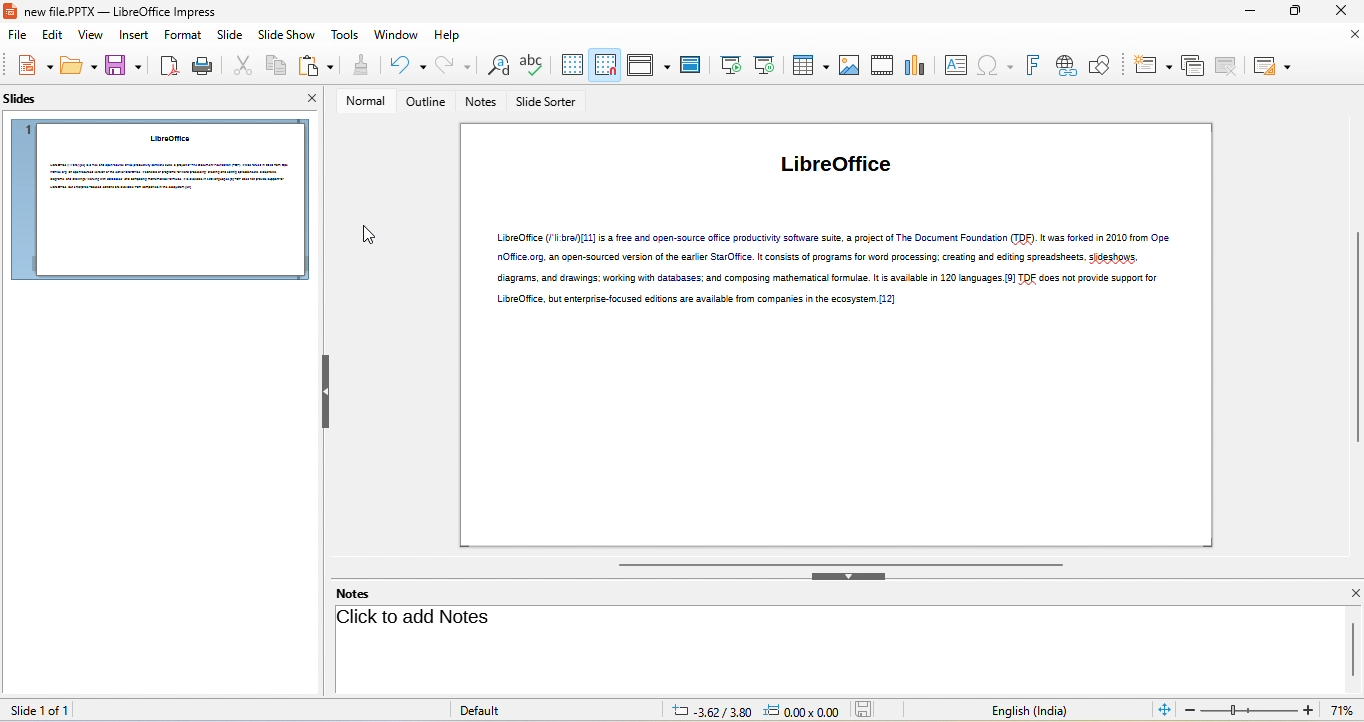 This screenshot has height=722, width=1364. I want to click on clone formatting, so click(359, 65).